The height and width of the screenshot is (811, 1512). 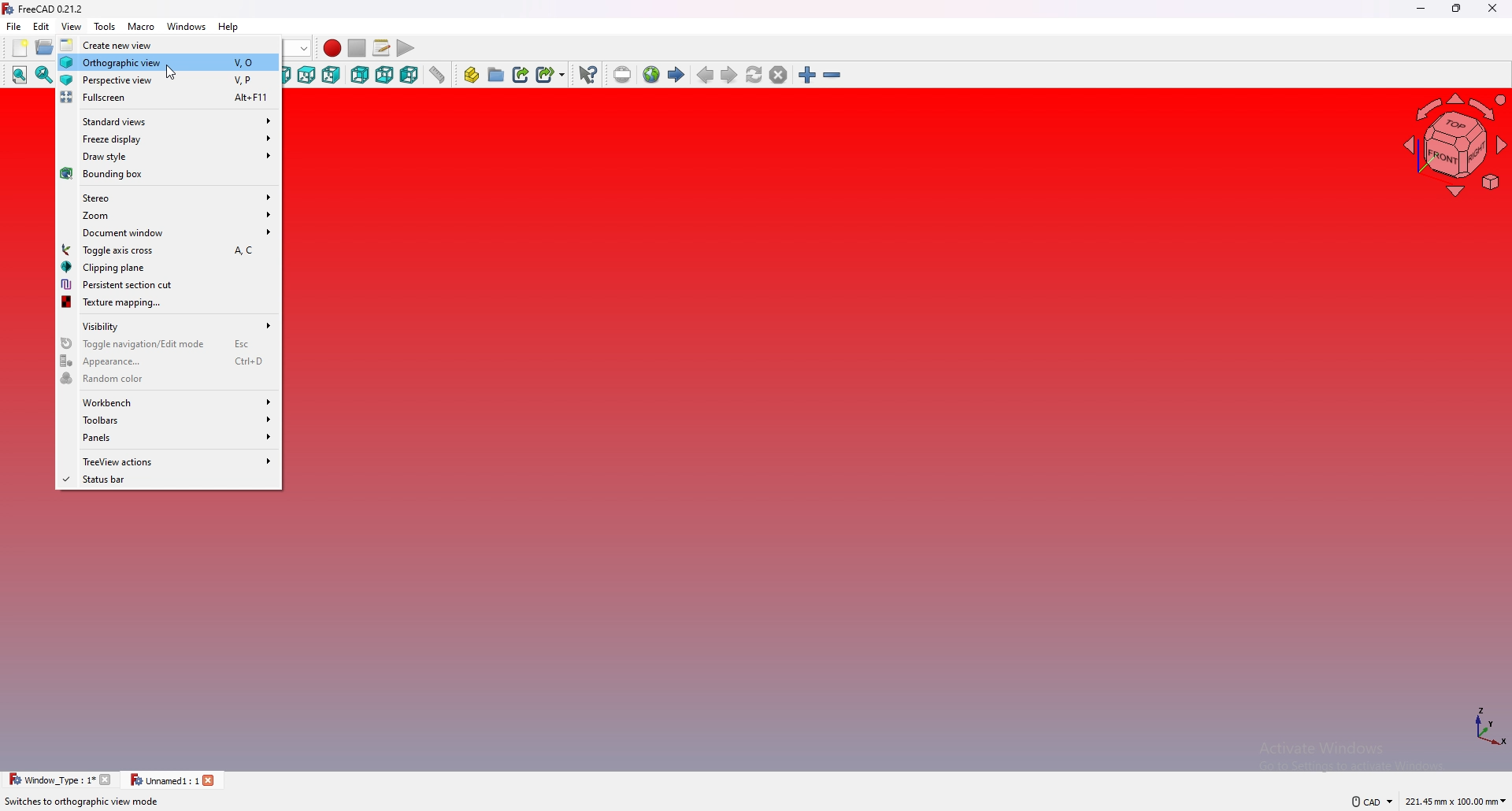 I want to click on orthographic view, so click(x=168, y=62).